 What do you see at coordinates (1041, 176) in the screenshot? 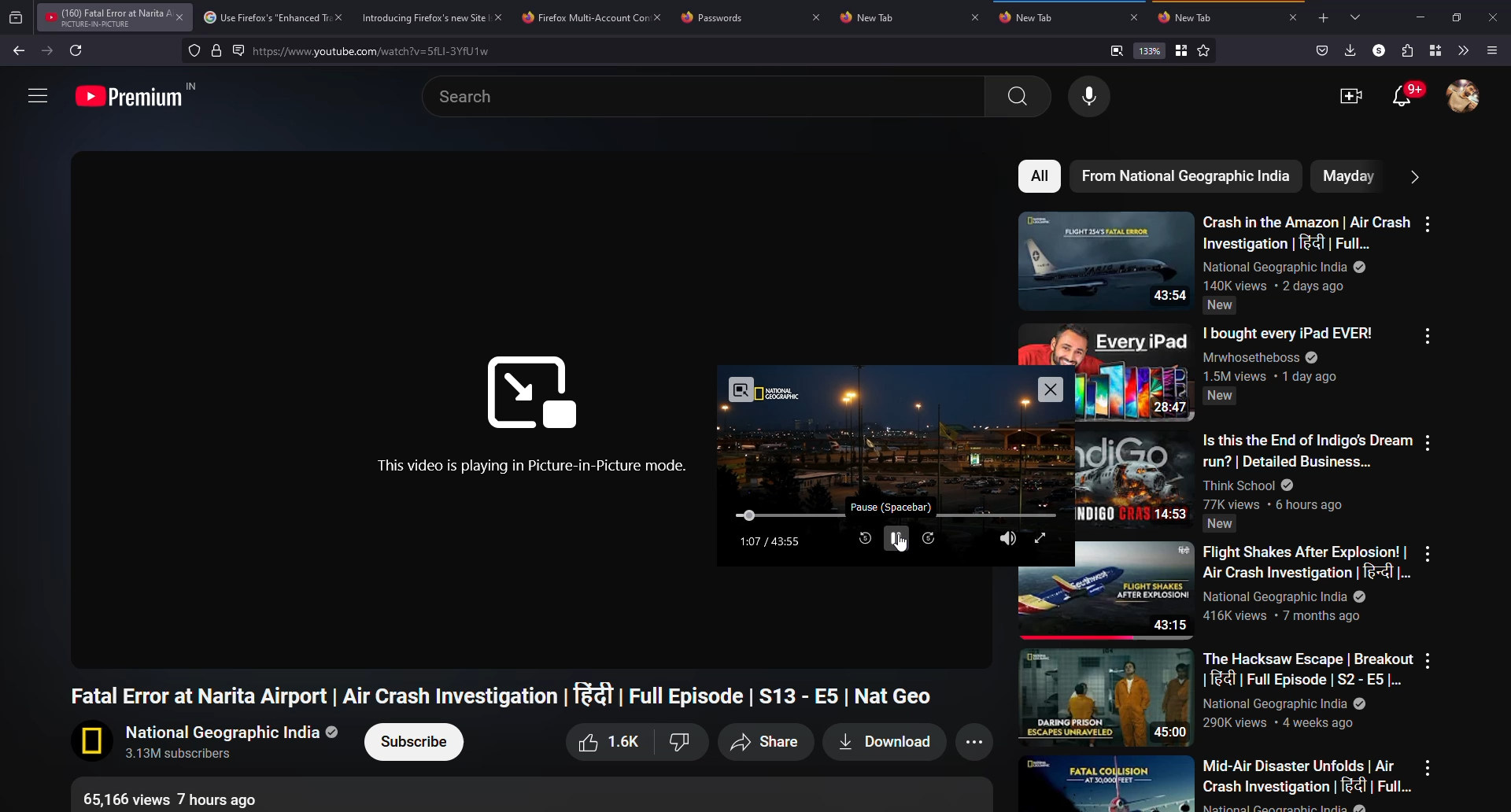
I see `all` at bounding box center [1041, 176].